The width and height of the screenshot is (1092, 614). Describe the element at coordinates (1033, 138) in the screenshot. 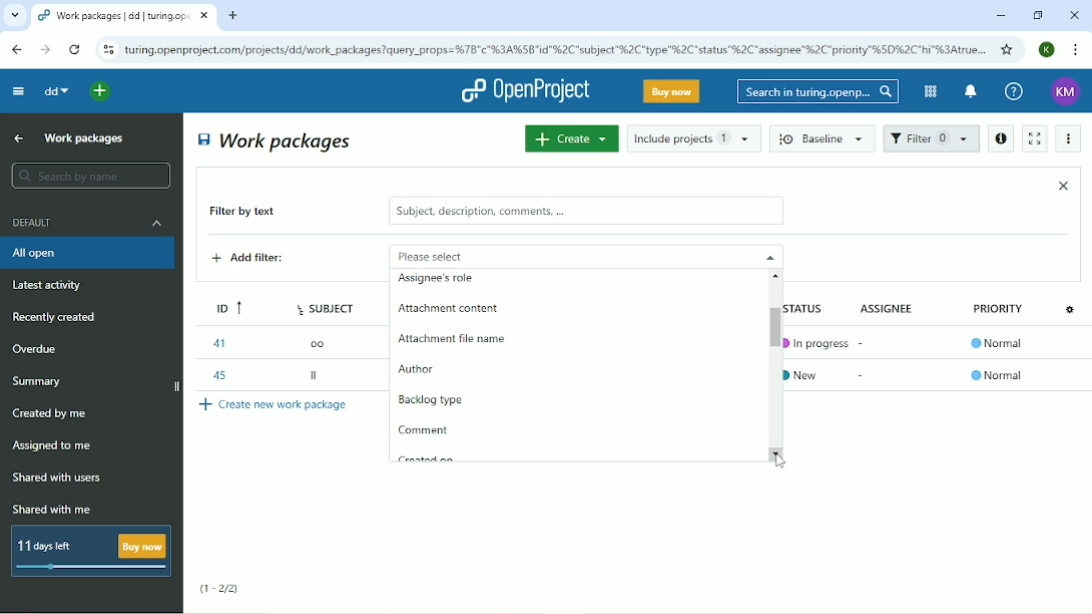

I see `Activate zen mode` at that location.